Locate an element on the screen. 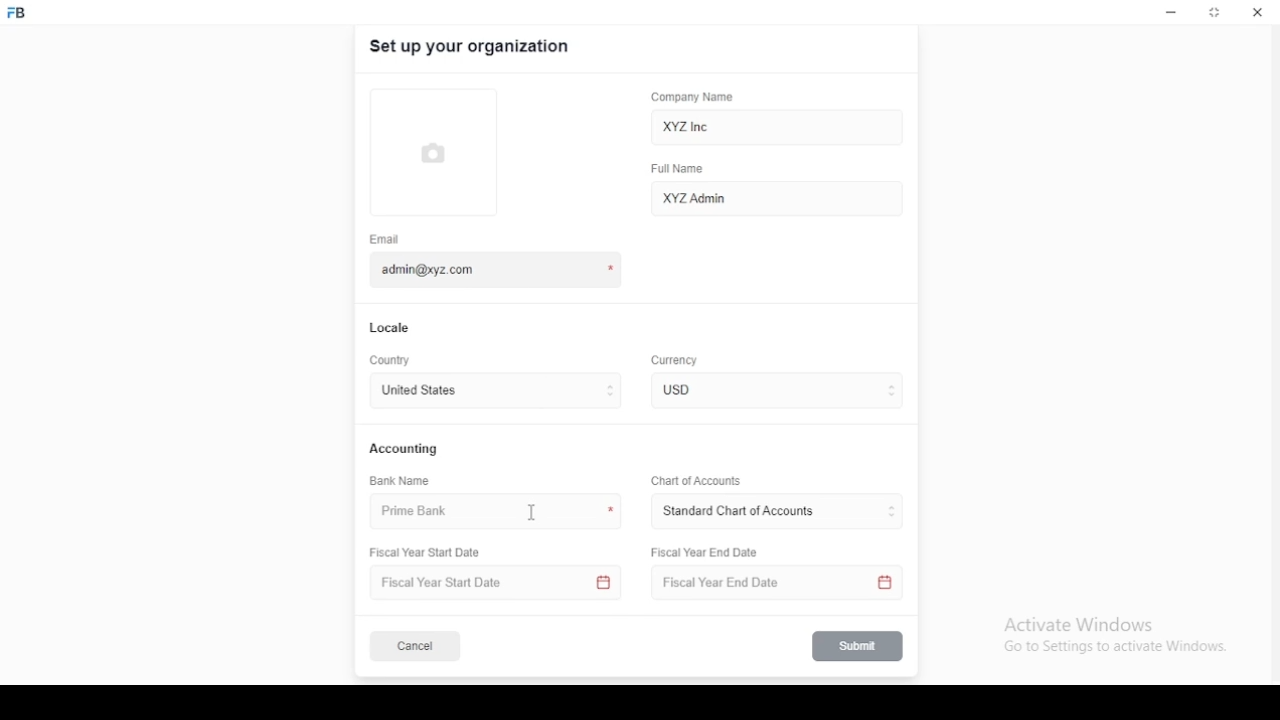 This screenshot has height=720, width=1280. cancel is located at coordinates (415, 647).